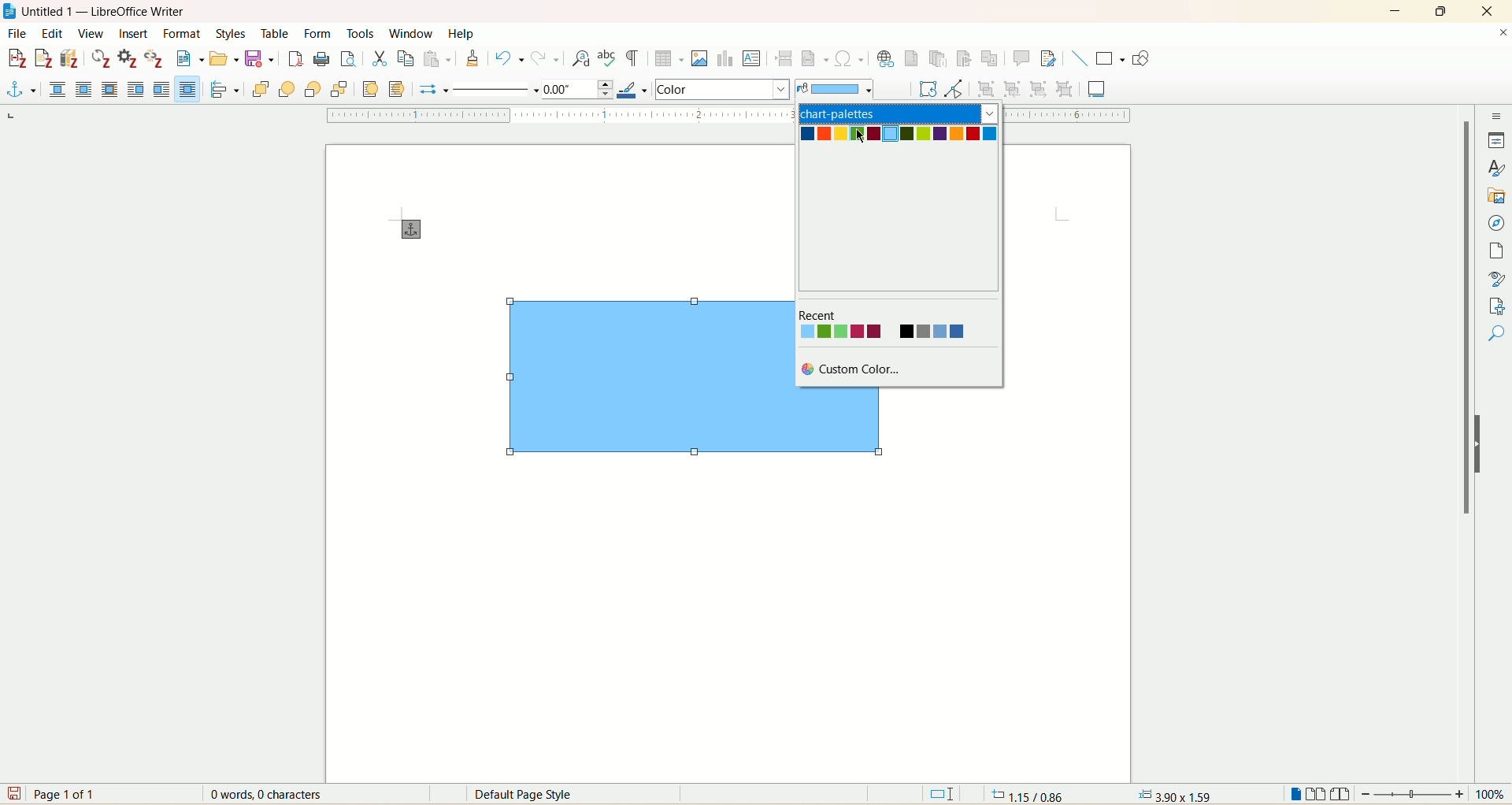 The height and width of the screenshot is (805, 1512). What do you see at coordinates (13, 793) in the screenshot?
I see `save` at bounding box center [13, 793].